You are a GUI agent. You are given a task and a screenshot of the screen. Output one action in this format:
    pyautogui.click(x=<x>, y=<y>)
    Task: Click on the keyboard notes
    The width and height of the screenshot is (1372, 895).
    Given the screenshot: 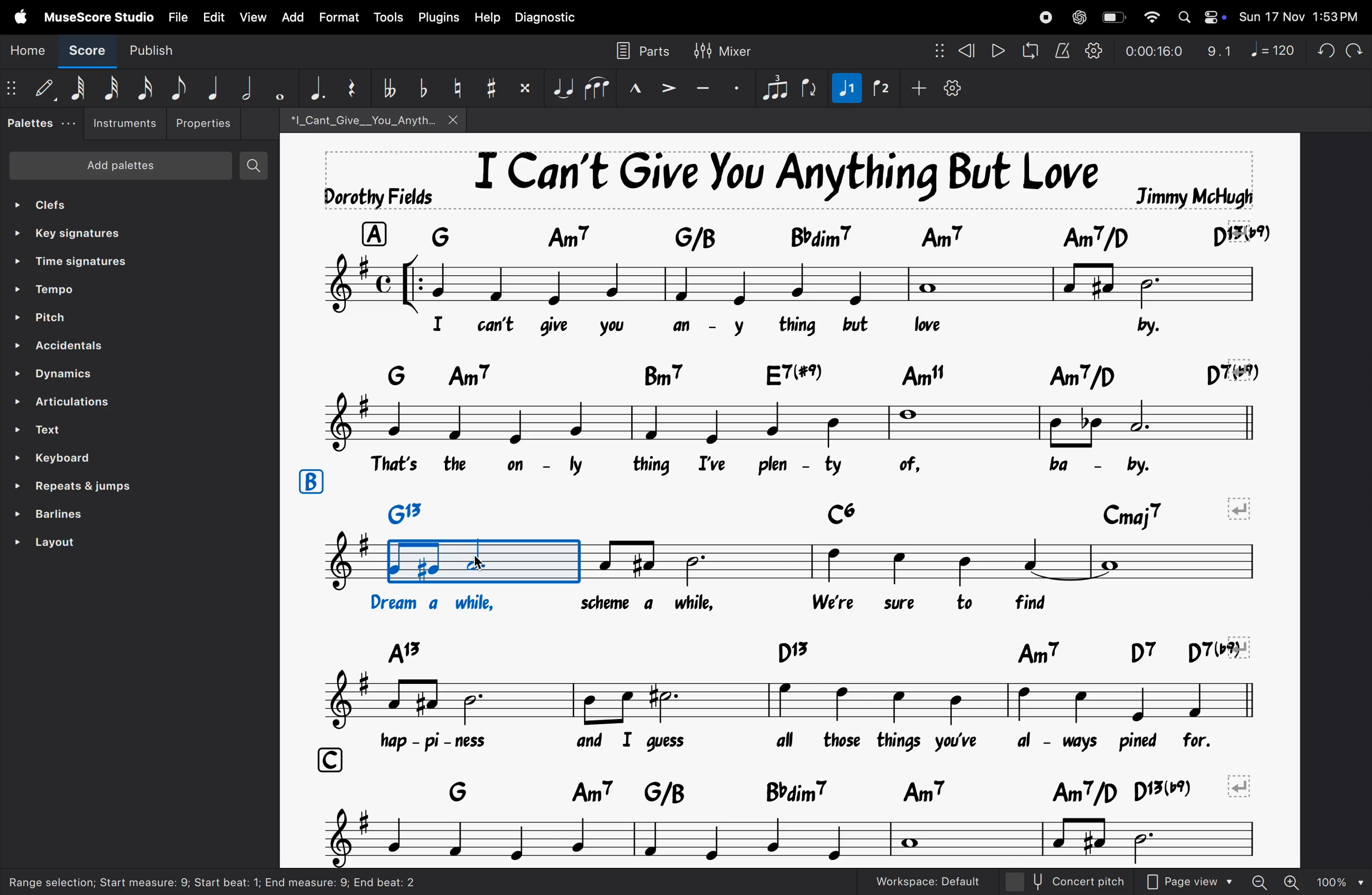 What is the action you would take?
    pyautogui.click(x=748, y=374)
    